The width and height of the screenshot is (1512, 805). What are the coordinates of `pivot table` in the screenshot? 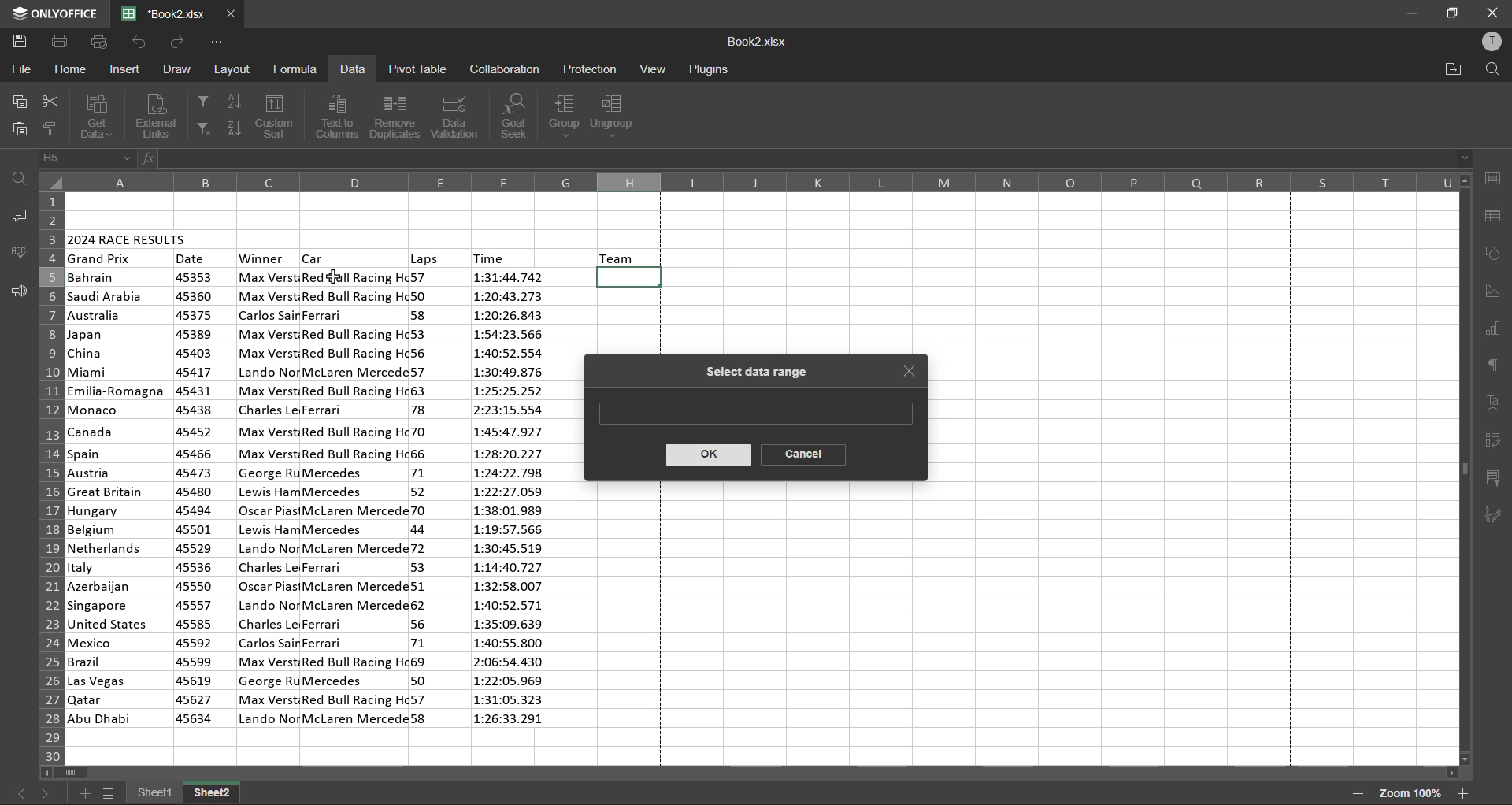 It's located at (416, 69).